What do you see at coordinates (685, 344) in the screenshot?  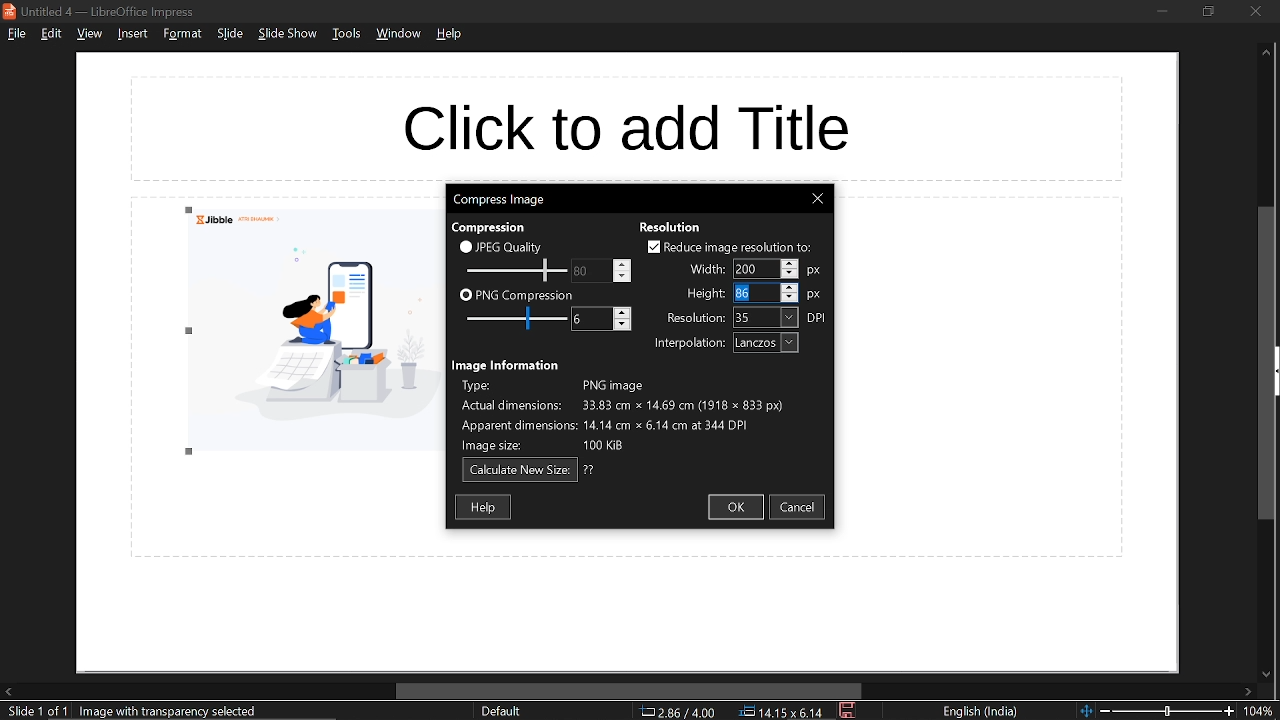 I see `interpolation` at bounding box center [685, 344].